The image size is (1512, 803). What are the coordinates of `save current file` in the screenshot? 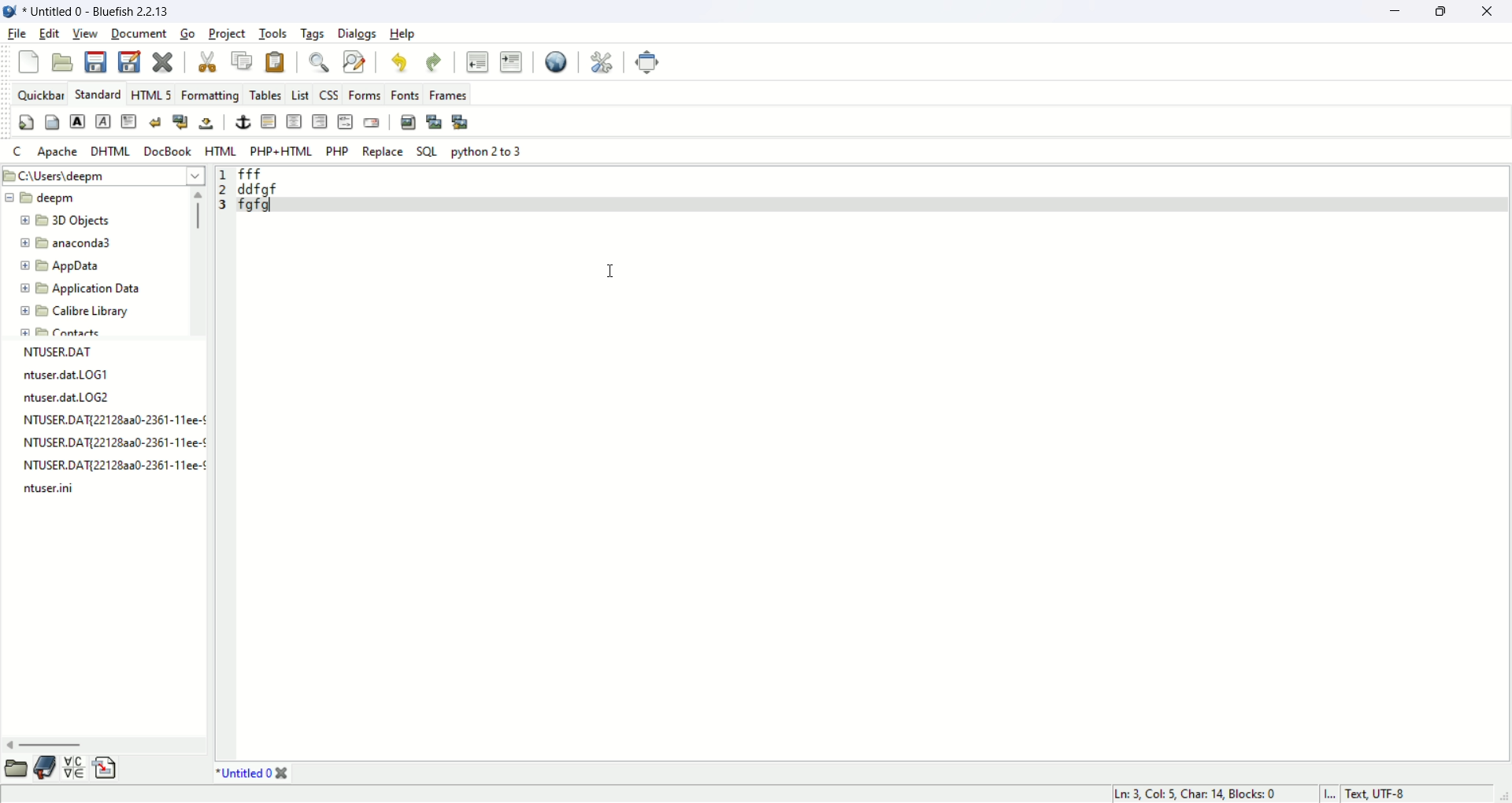 It's located at (98, 62).